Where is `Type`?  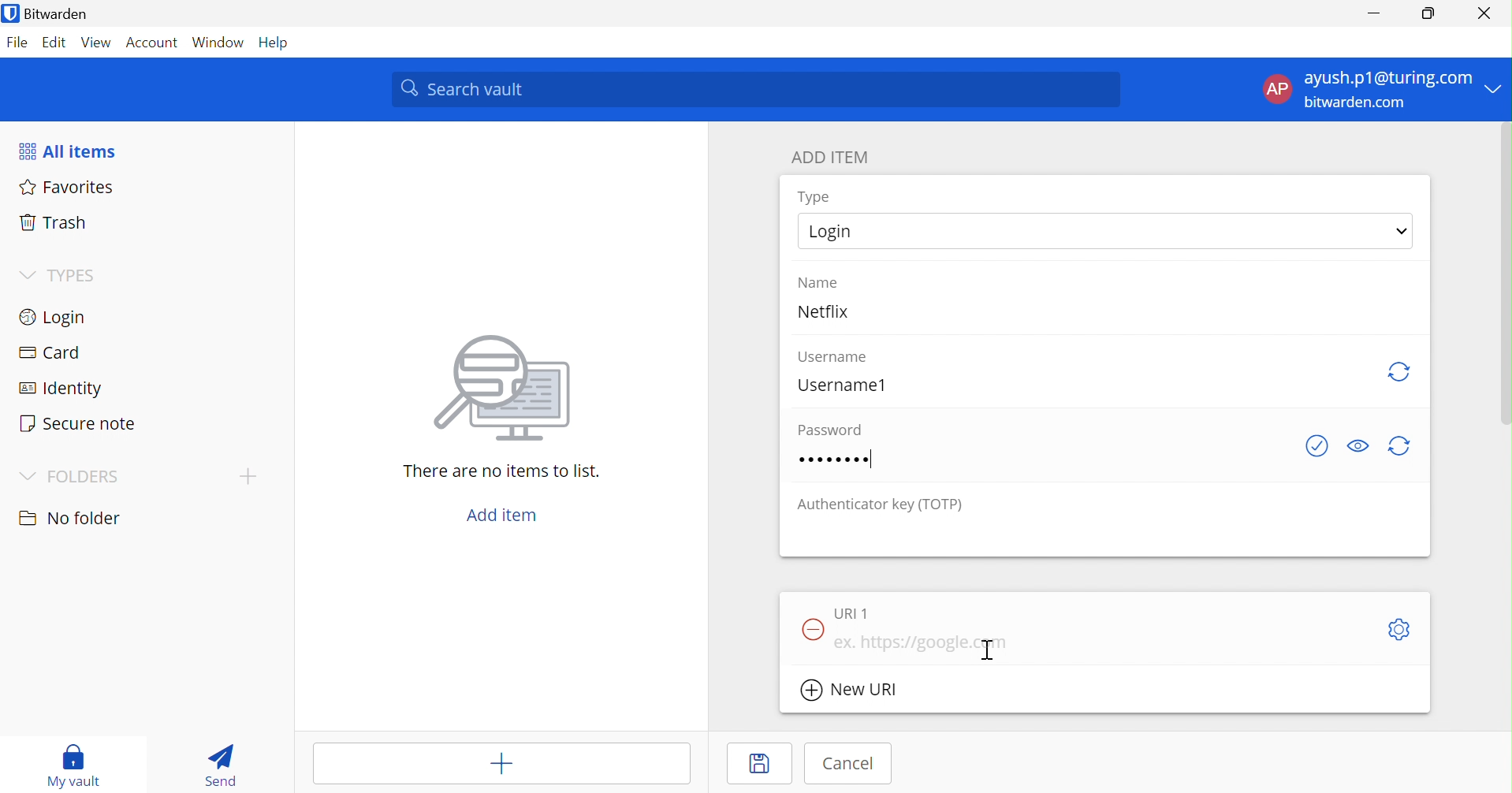
Type is located at coordinates (813, 196).